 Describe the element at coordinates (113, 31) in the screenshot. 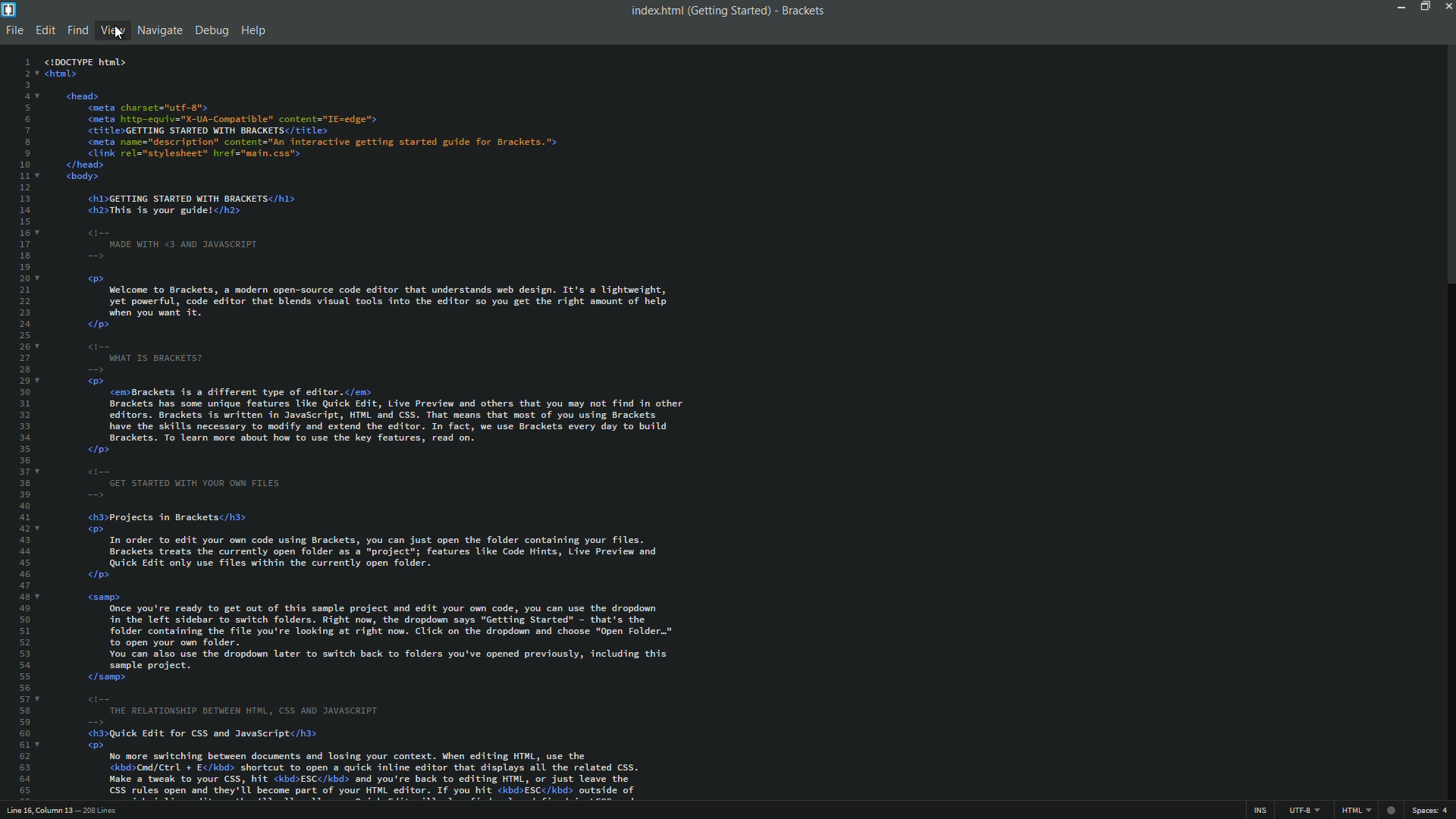

I see `view menu` at that location.